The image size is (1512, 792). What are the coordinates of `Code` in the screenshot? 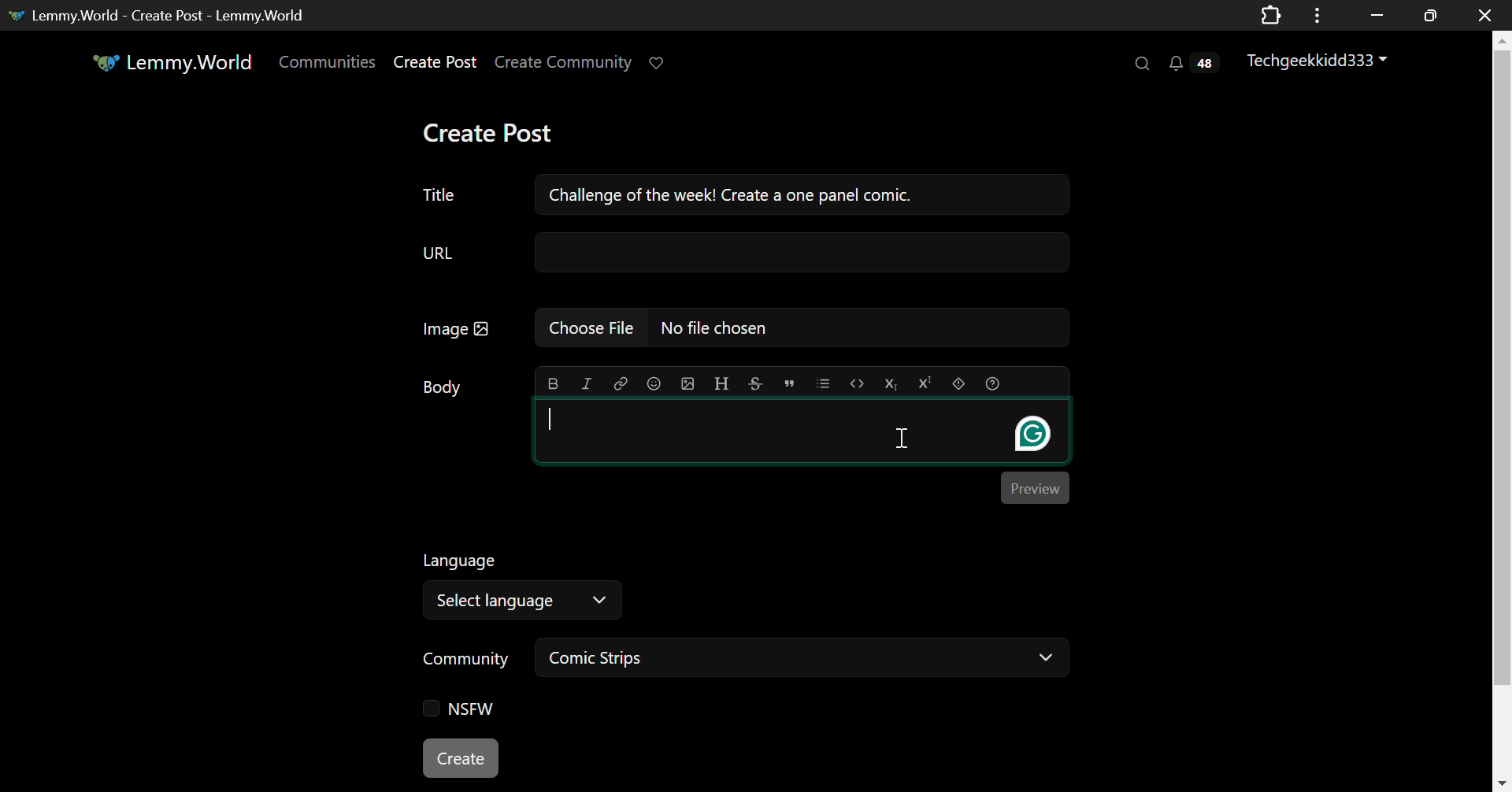 It's located at (857, 383).